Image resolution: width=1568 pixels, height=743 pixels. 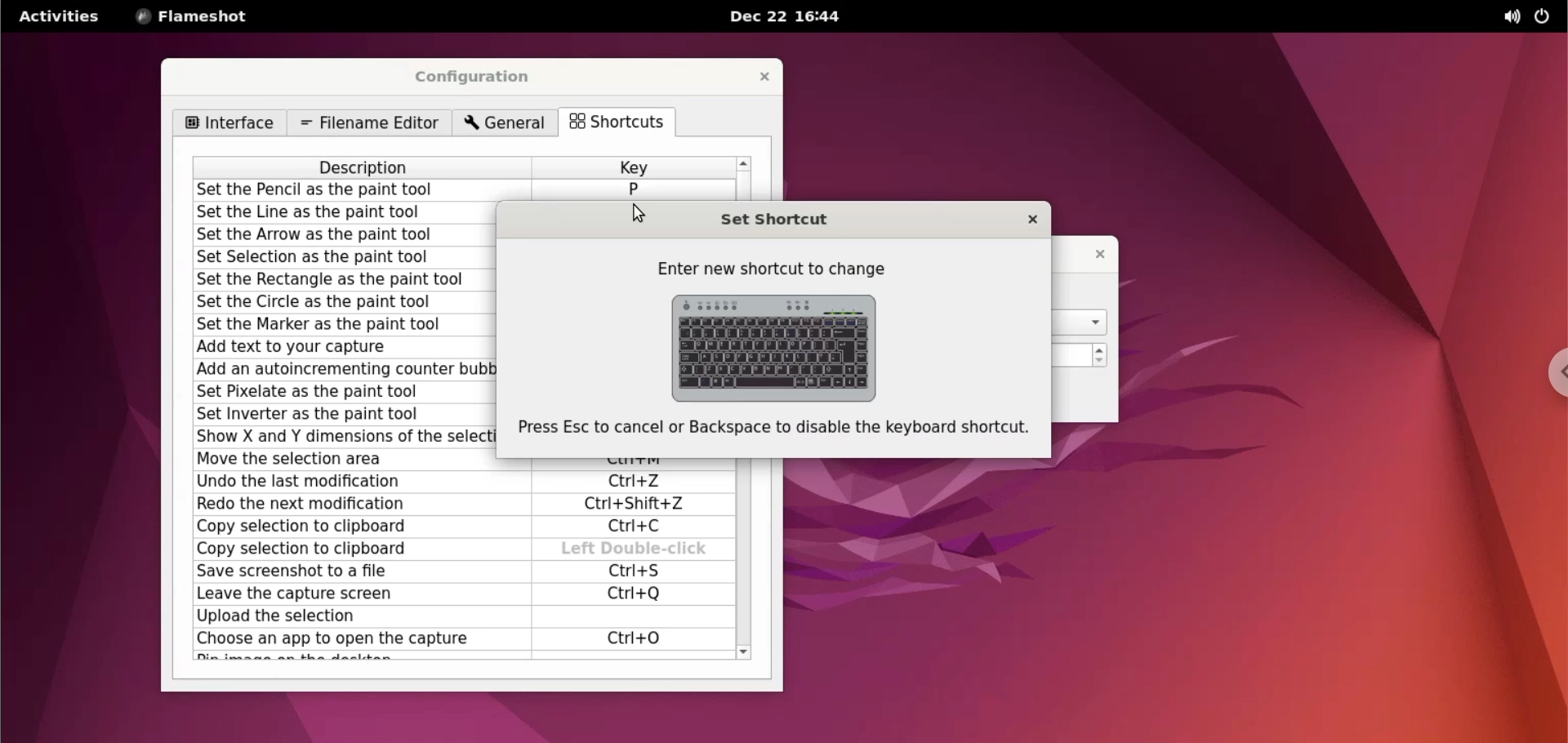 What do you see at coordinates (356, 640) in the screenshot?
I see `choose an app to open the capture` at bounding box center [356, 640].